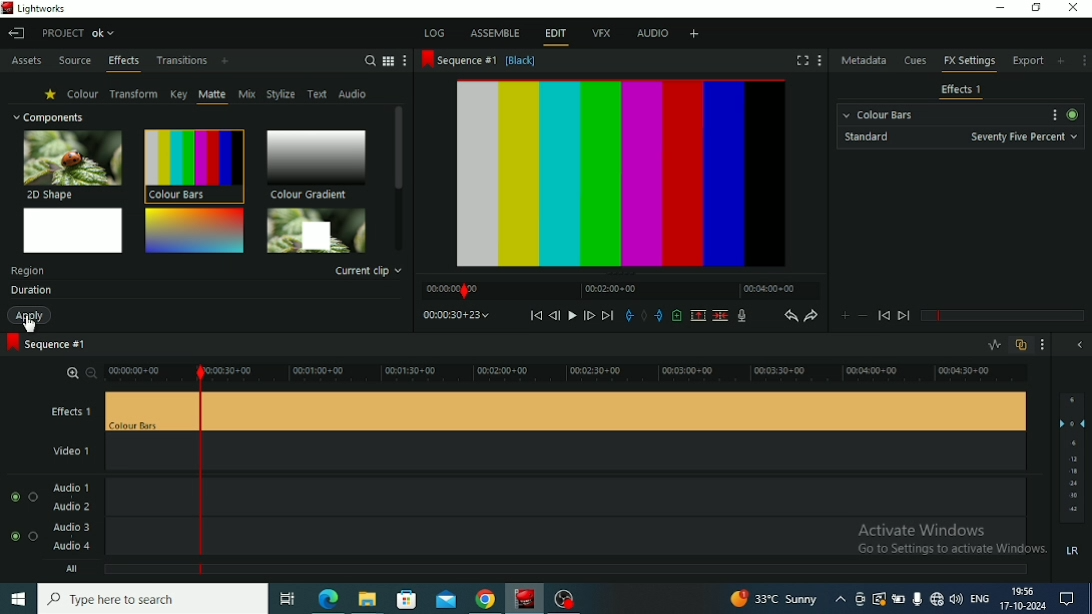  Describe the element at coordinates (880, 599) in the screenshot. I see `warning` at that location.